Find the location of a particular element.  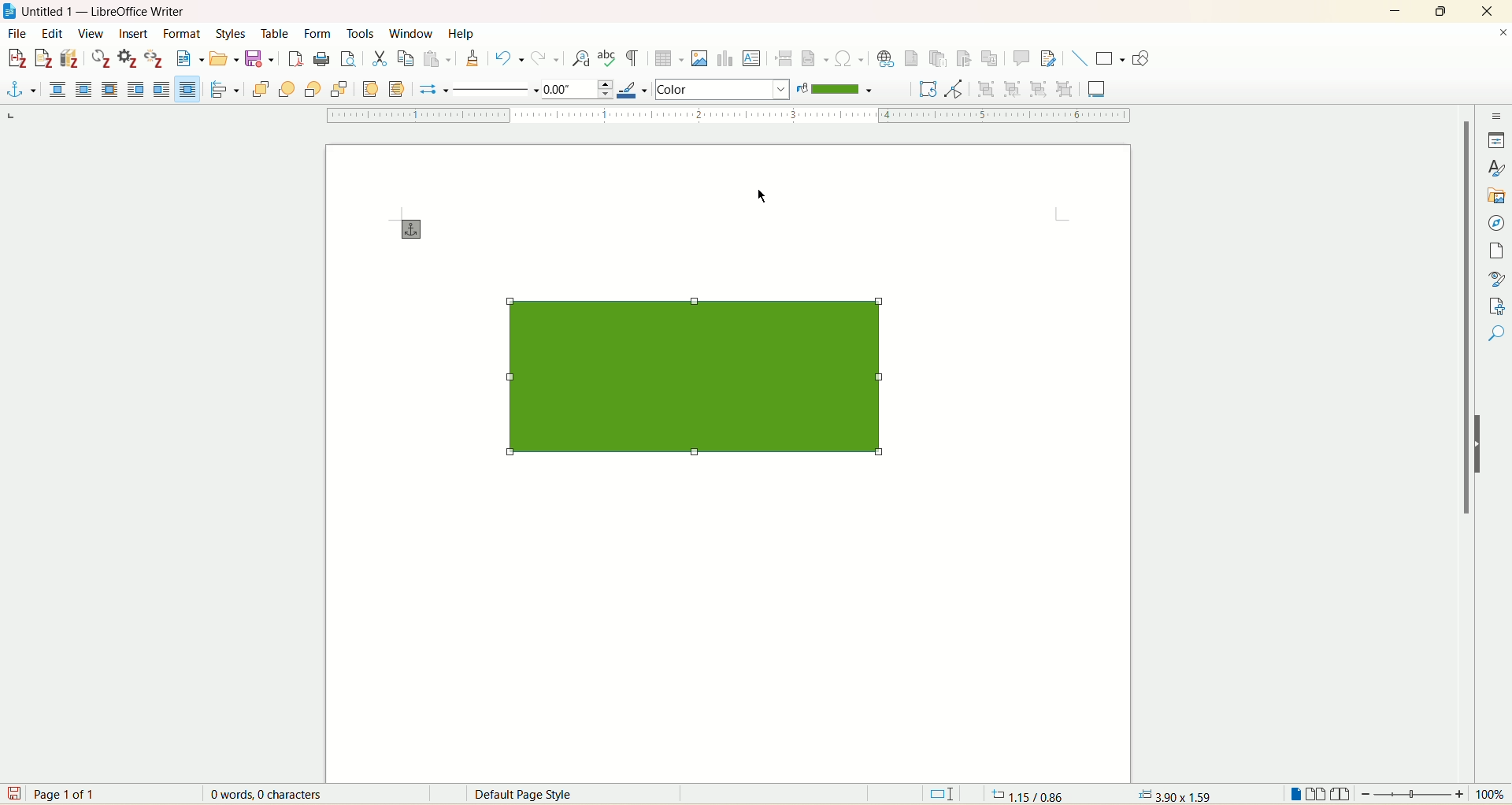

align object is located at coordinates (228, 90).